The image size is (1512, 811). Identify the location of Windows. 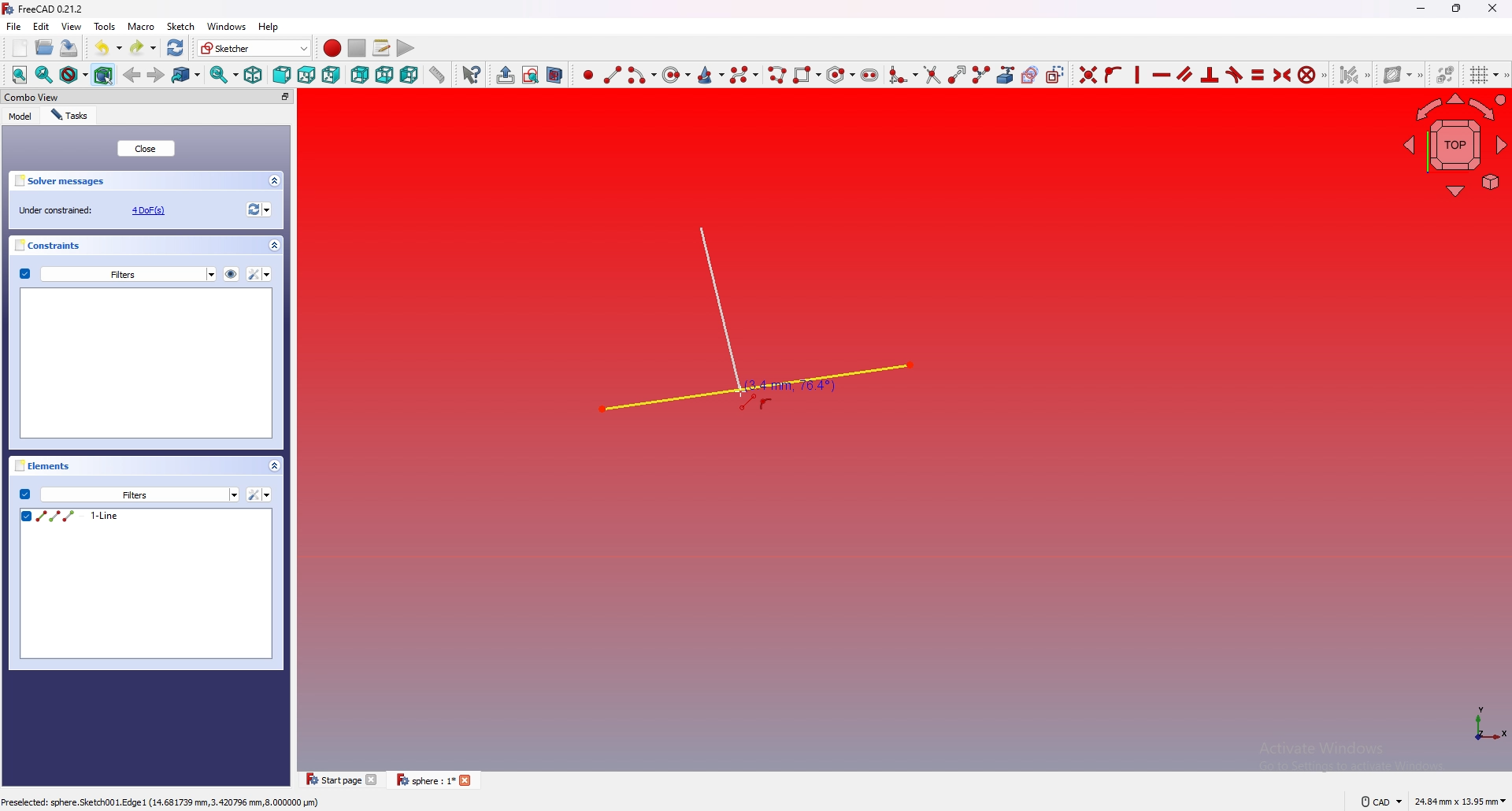
(227, 27).